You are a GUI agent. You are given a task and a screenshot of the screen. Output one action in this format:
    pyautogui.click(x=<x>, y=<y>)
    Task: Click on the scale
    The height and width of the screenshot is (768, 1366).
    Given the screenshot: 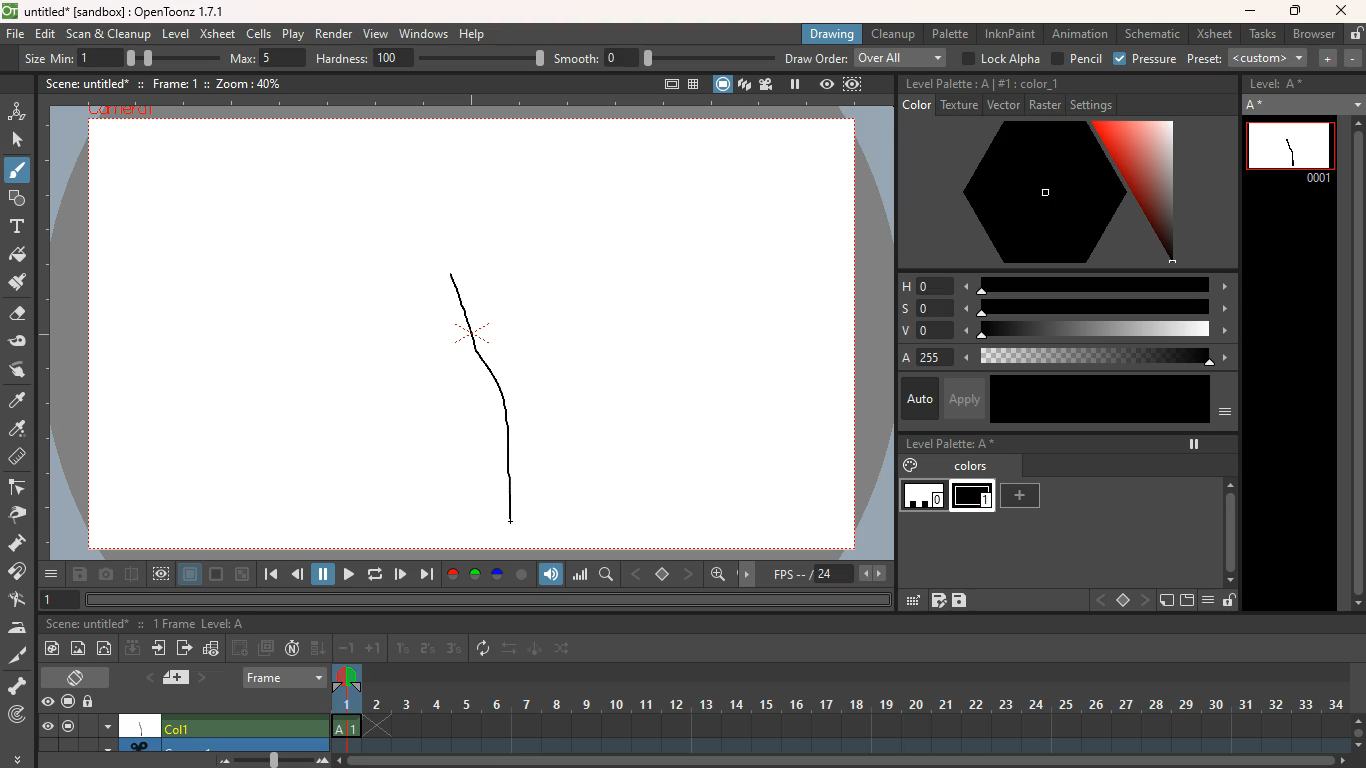 What is the action you would take?
    pyautogui.click(x=1103, y=357)
    